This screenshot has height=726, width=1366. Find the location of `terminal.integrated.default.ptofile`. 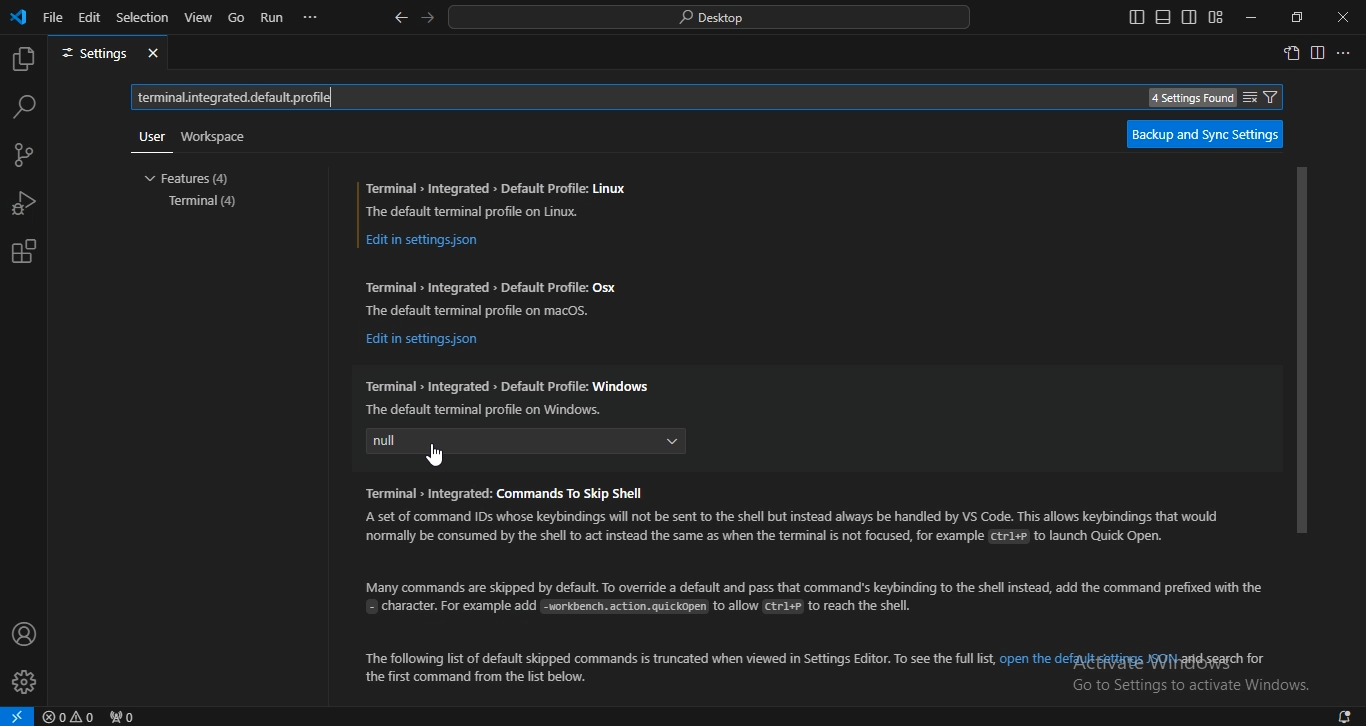

terminal.integrated.default.ptofile is located at coordinates (236, 97).